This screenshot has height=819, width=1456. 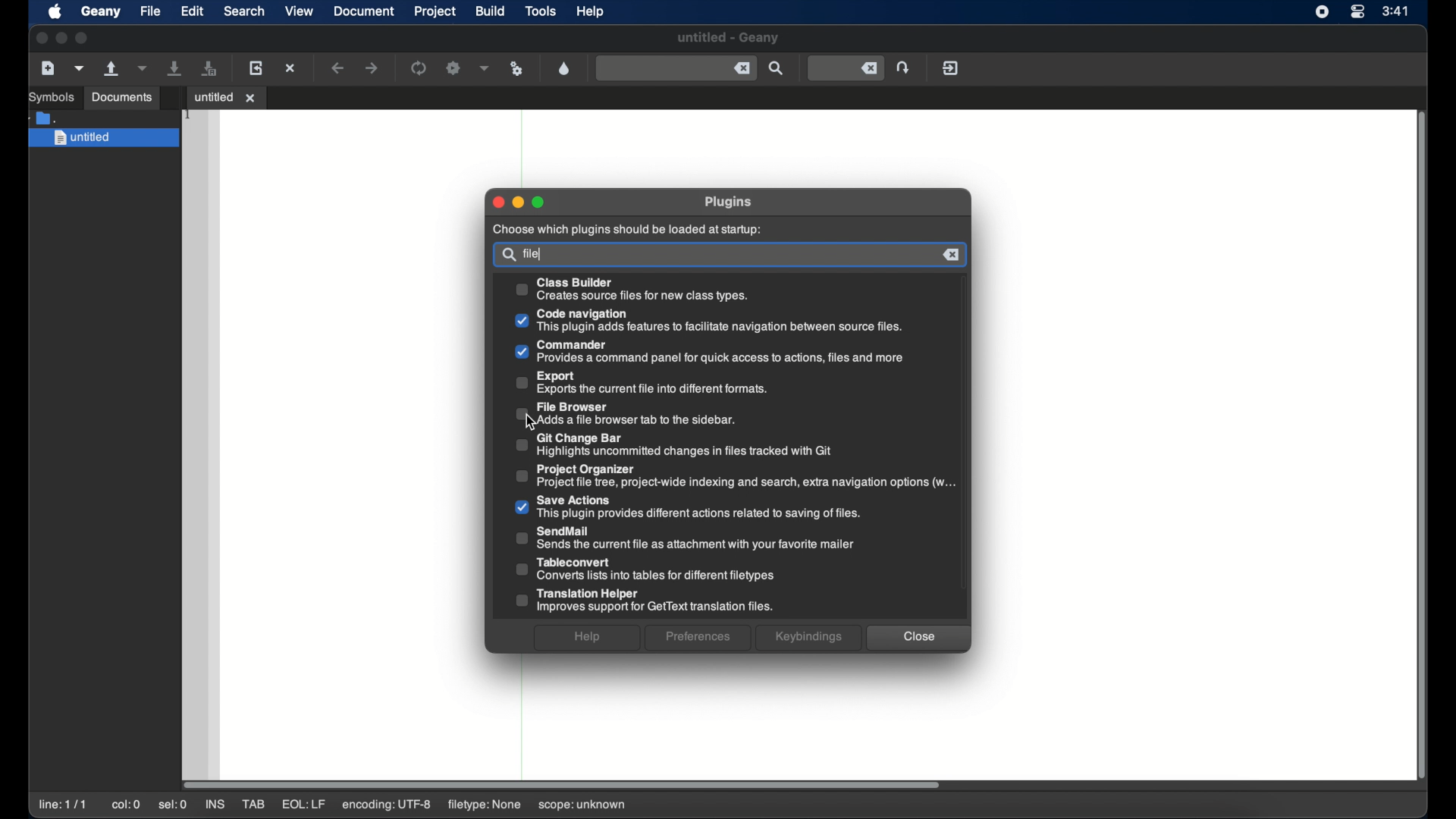 I want to click on time, so click(x=1395, y=10).